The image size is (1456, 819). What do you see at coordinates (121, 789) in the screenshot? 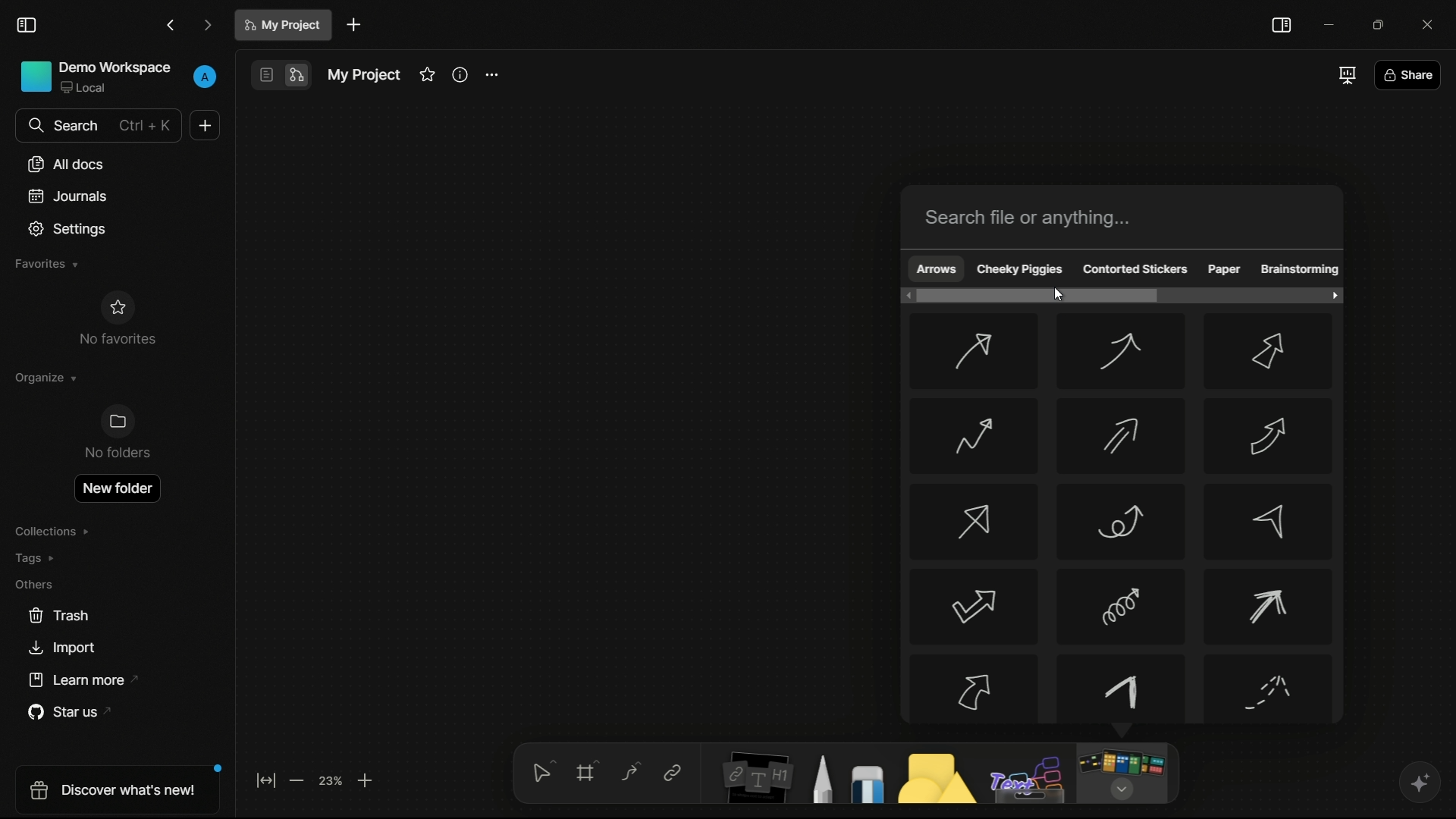
I see `discover what's new` at bounding box center [121, 789].